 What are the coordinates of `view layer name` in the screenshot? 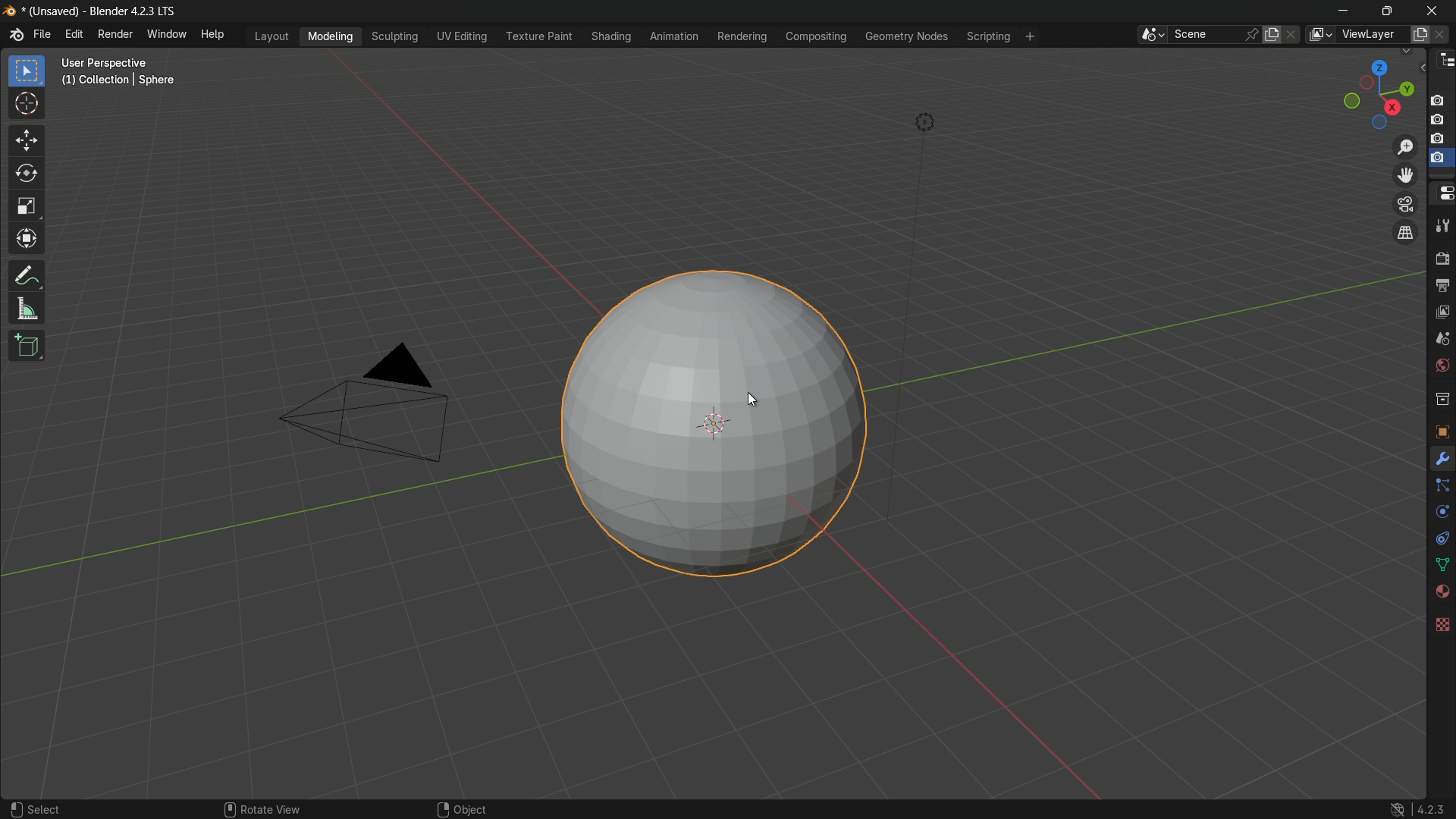 It's located at (1374, 36).